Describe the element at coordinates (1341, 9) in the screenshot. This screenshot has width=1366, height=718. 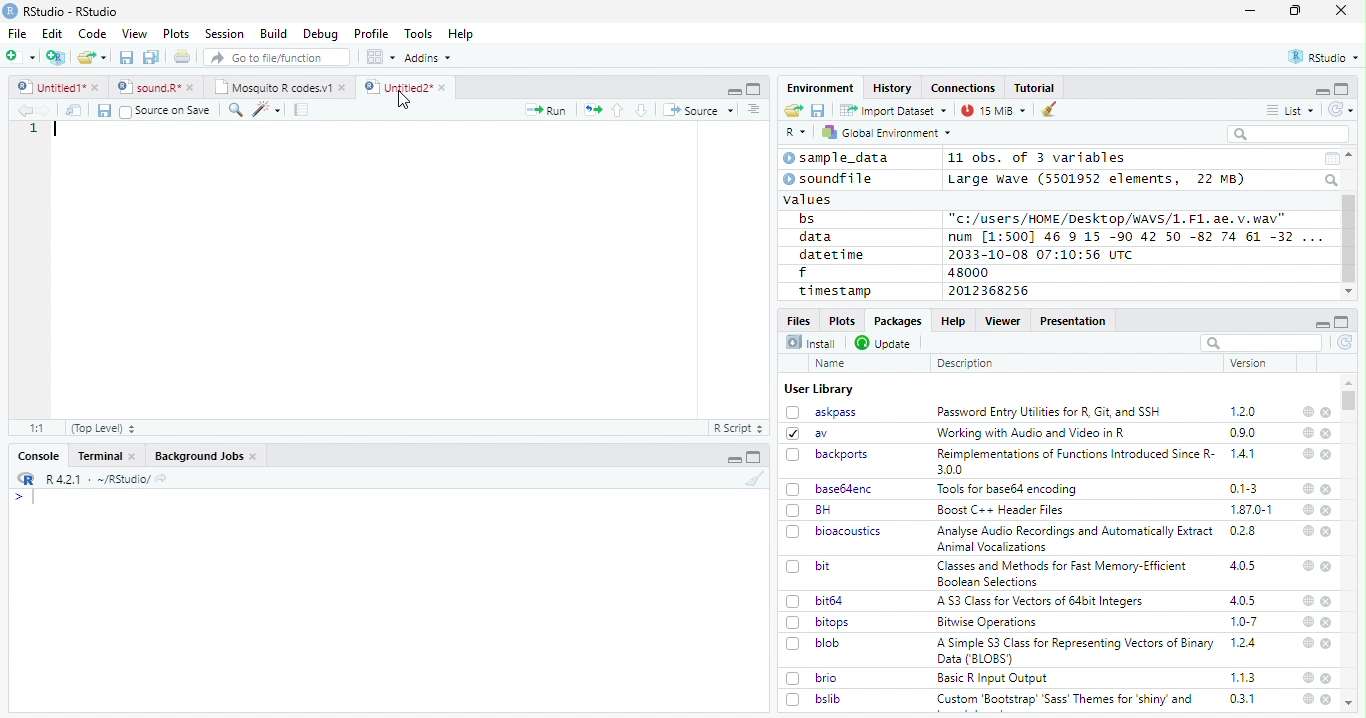
I see `close` at that location.